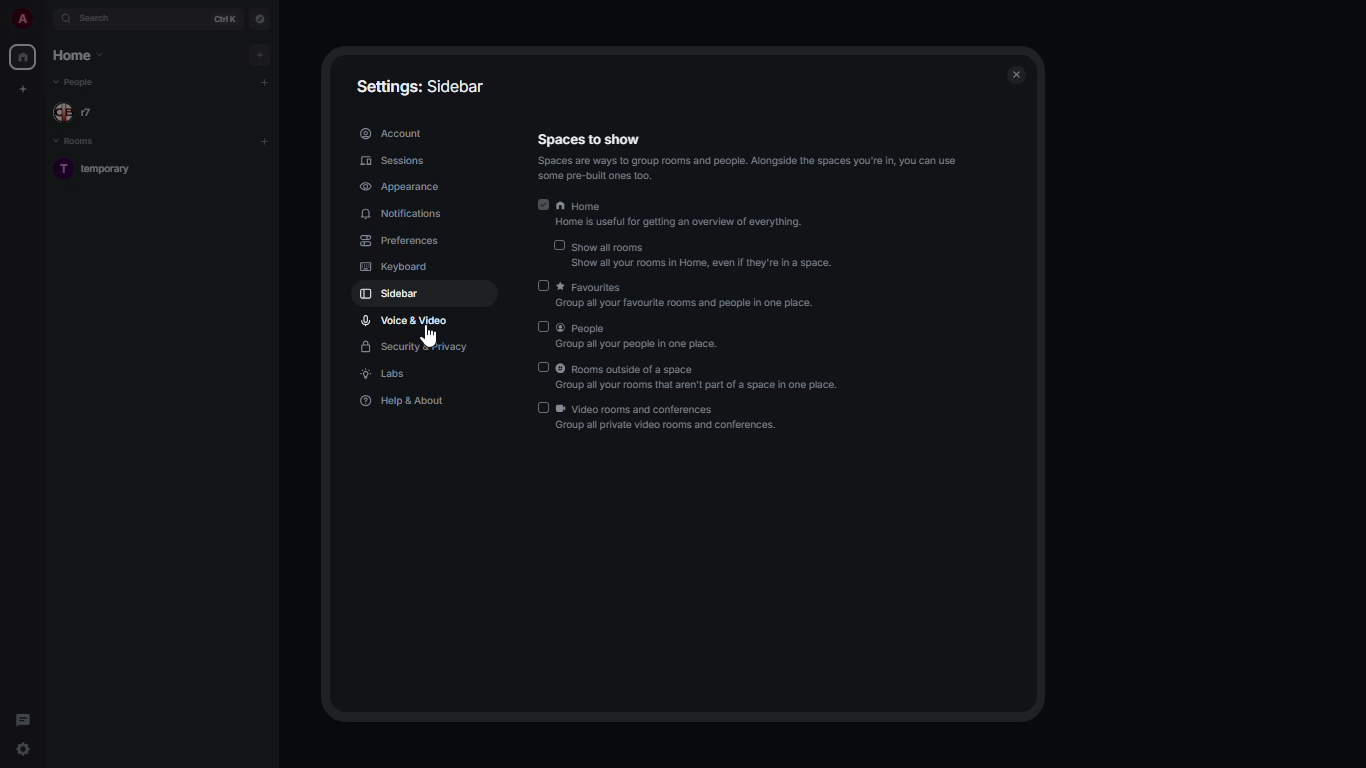 Image resolution: width=1366 pixels, height=768 pixels. Describe the element at coordinates (388, 293) in the screenshot. I see `sidebar` at that location.